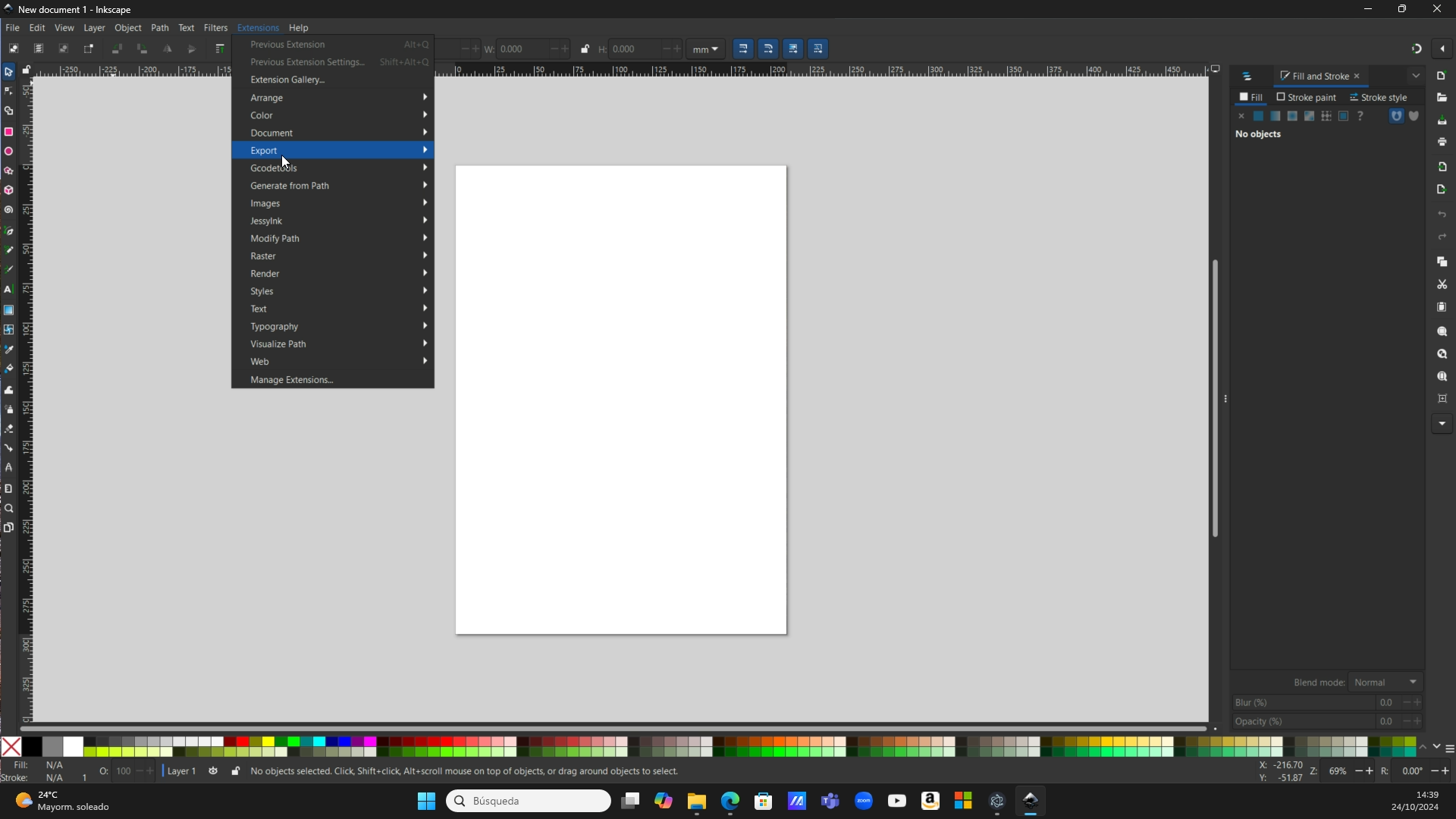 This screenshot has width=1456, height=819. Describe the element at coordinates (13, 747) in the screenshot. I see `Close` at that location.